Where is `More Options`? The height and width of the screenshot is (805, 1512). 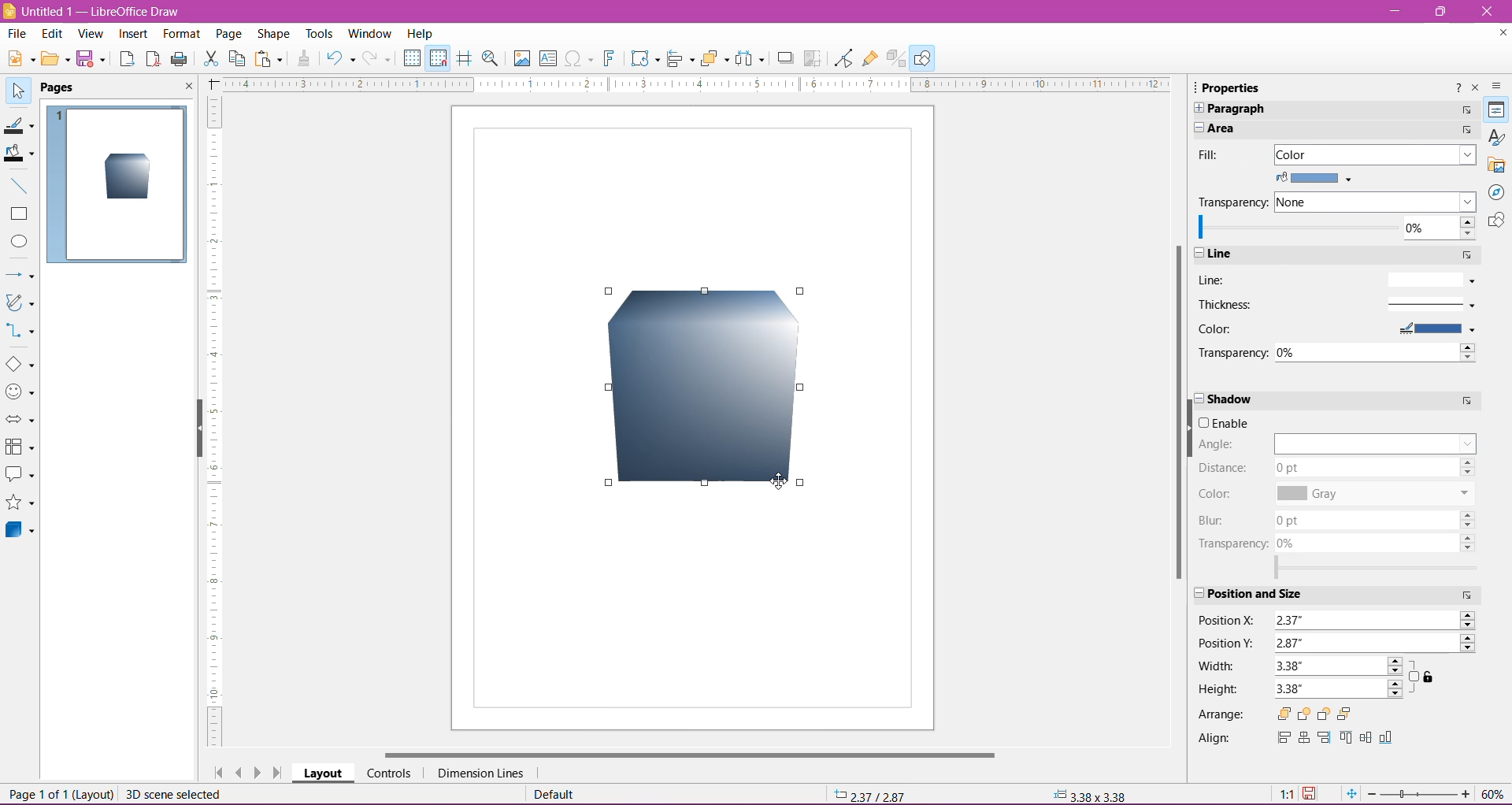
More Options is located at coordinates (1469, 595).